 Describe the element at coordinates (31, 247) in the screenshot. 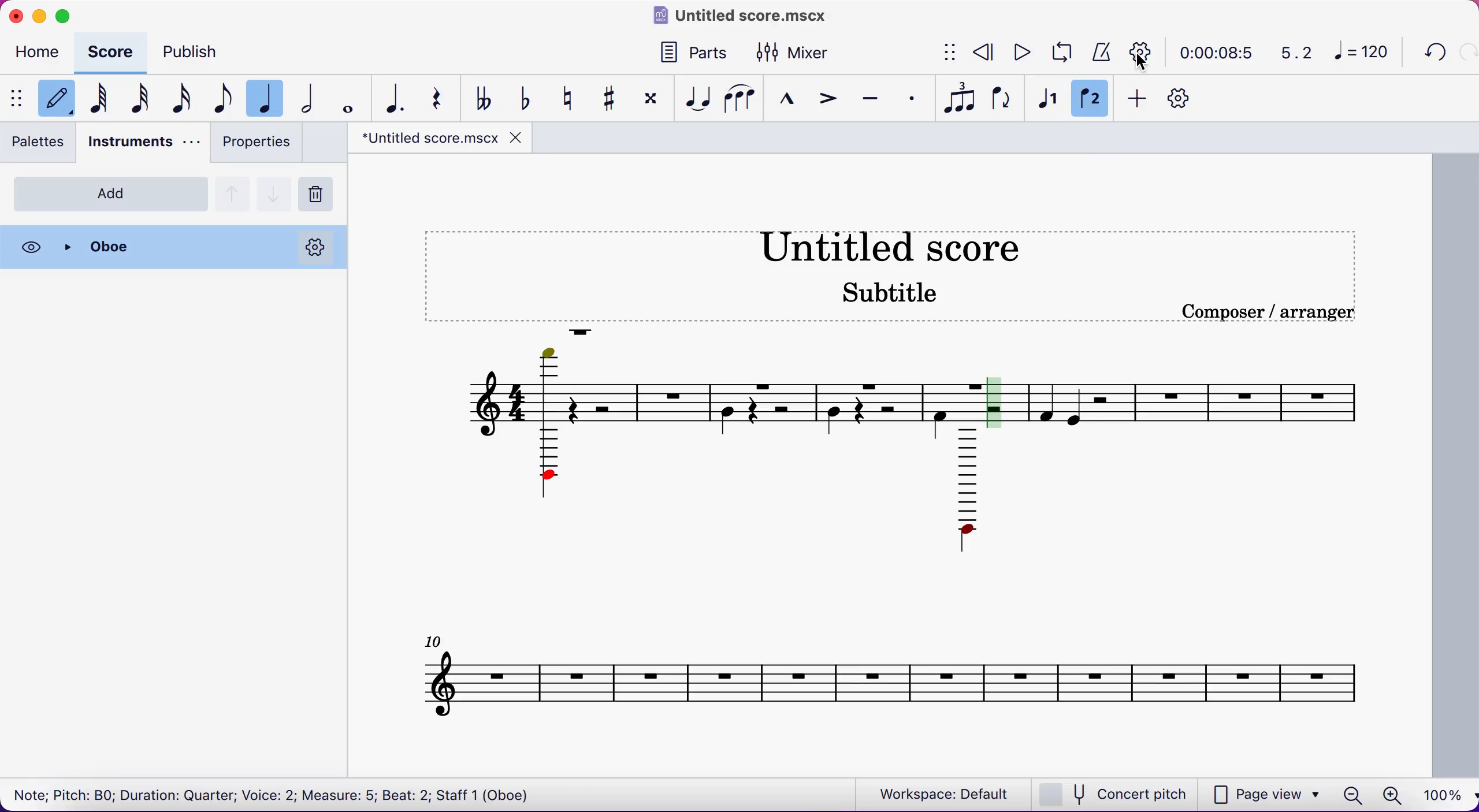

I see `visibility` at that location.